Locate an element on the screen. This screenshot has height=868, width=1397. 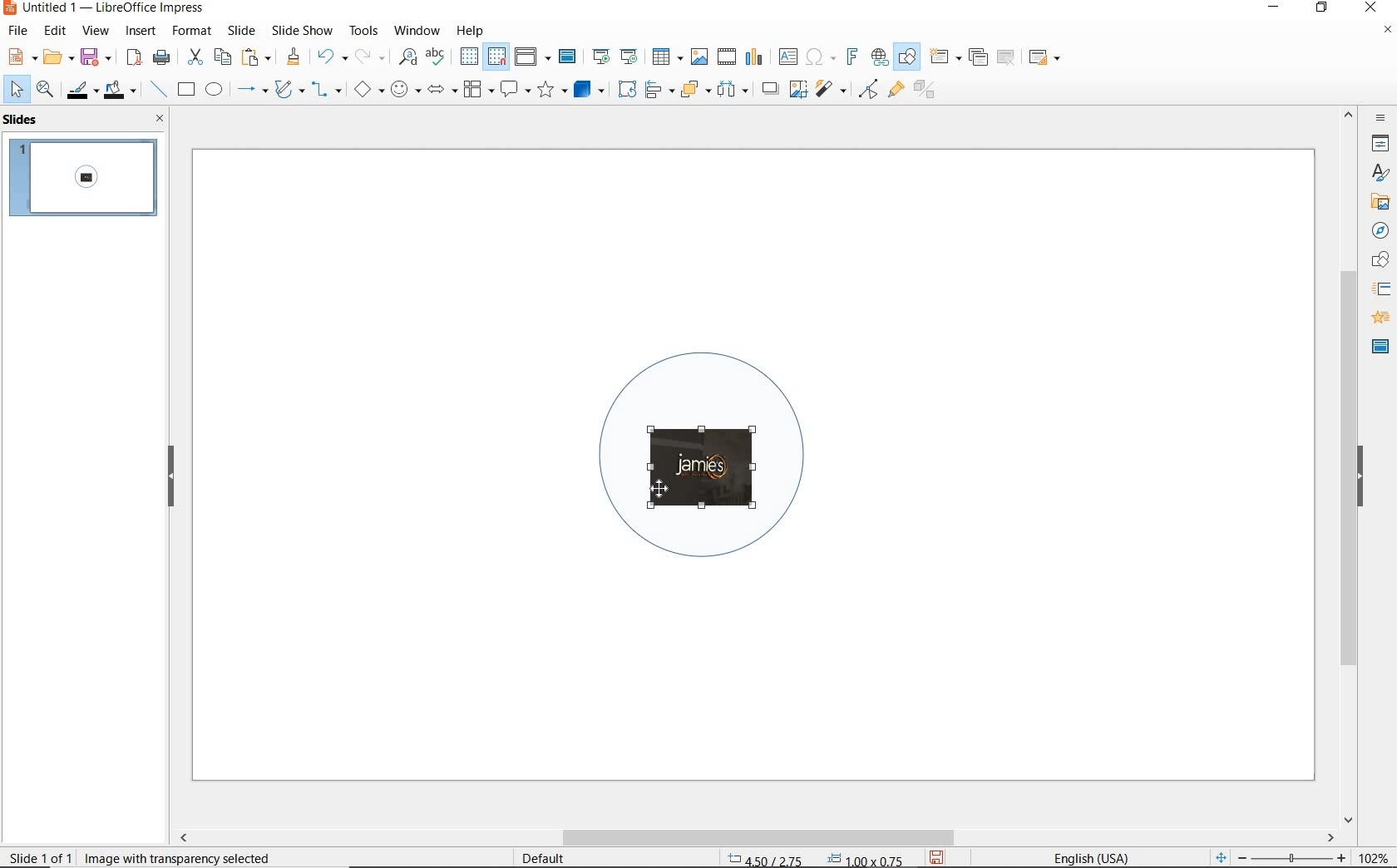
Default is located at coordinates (545, 858).